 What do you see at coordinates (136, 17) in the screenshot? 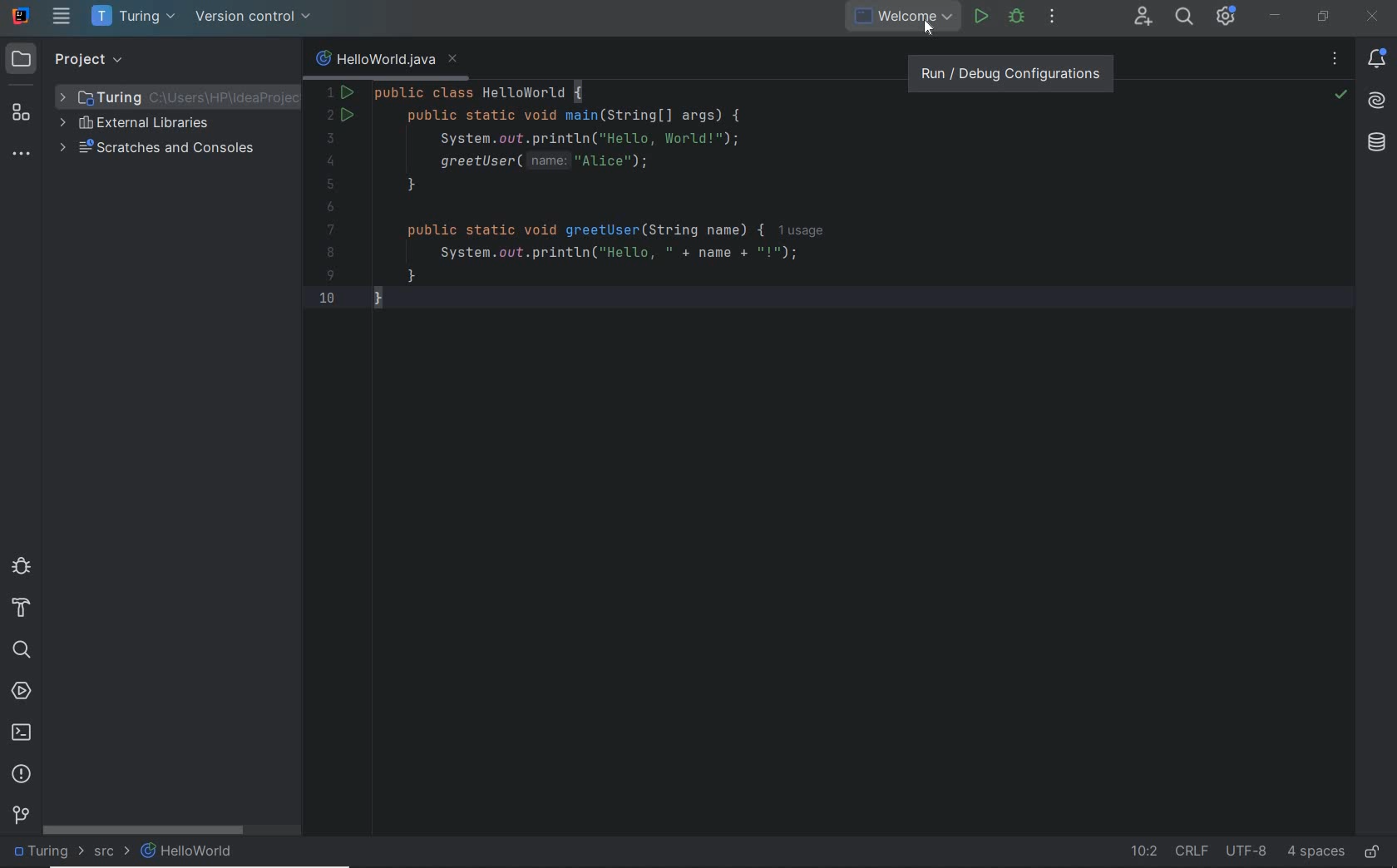
I see `project name` at bounding box center [136, 17].